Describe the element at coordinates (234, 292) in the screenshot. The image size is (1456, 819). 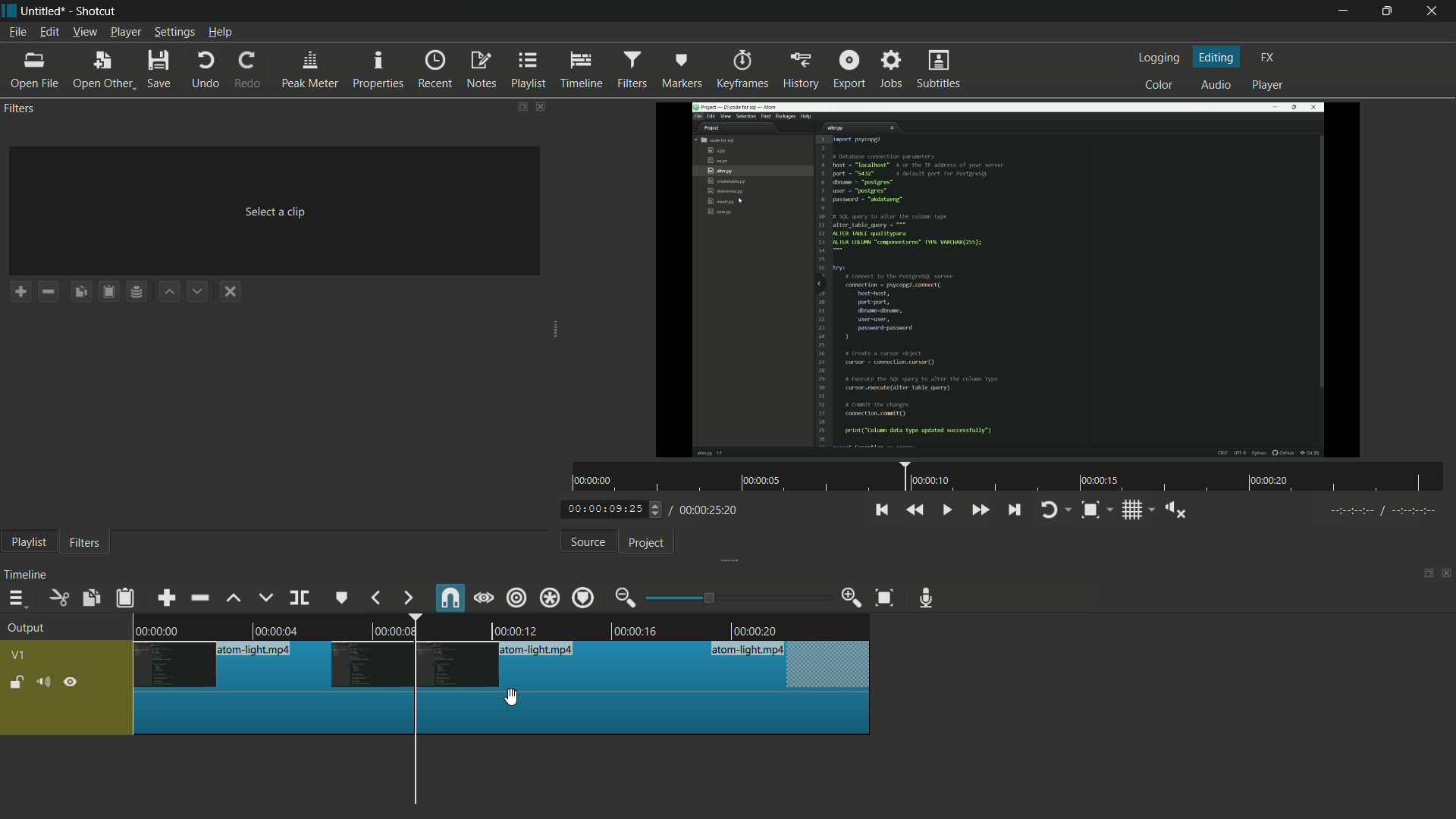
I see `deselect the filter` at that location.